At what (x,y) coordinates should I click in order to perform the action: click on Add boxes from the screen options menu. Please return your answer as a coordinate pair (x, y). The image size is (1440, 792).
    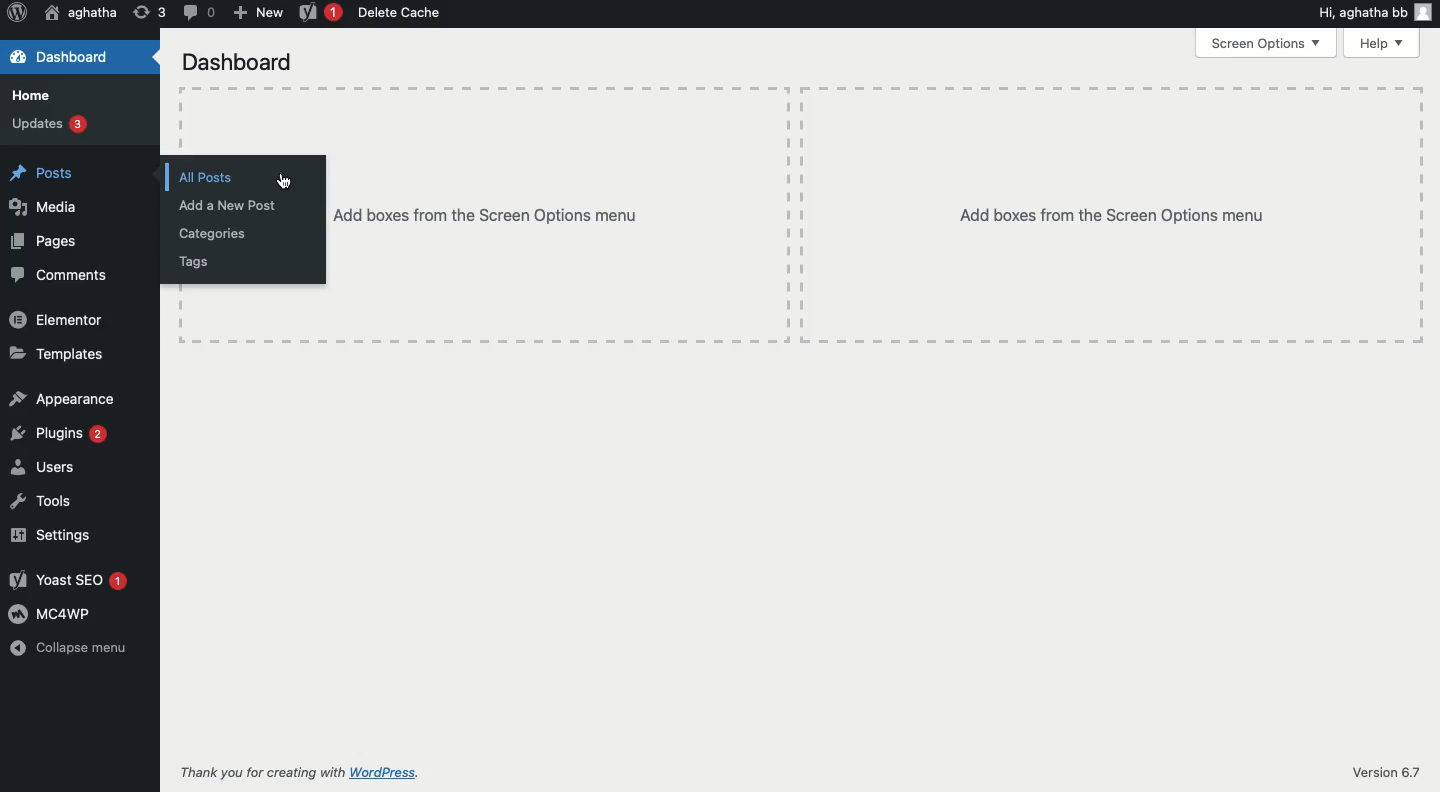
    Looking at the image, I should click on (556, 215).